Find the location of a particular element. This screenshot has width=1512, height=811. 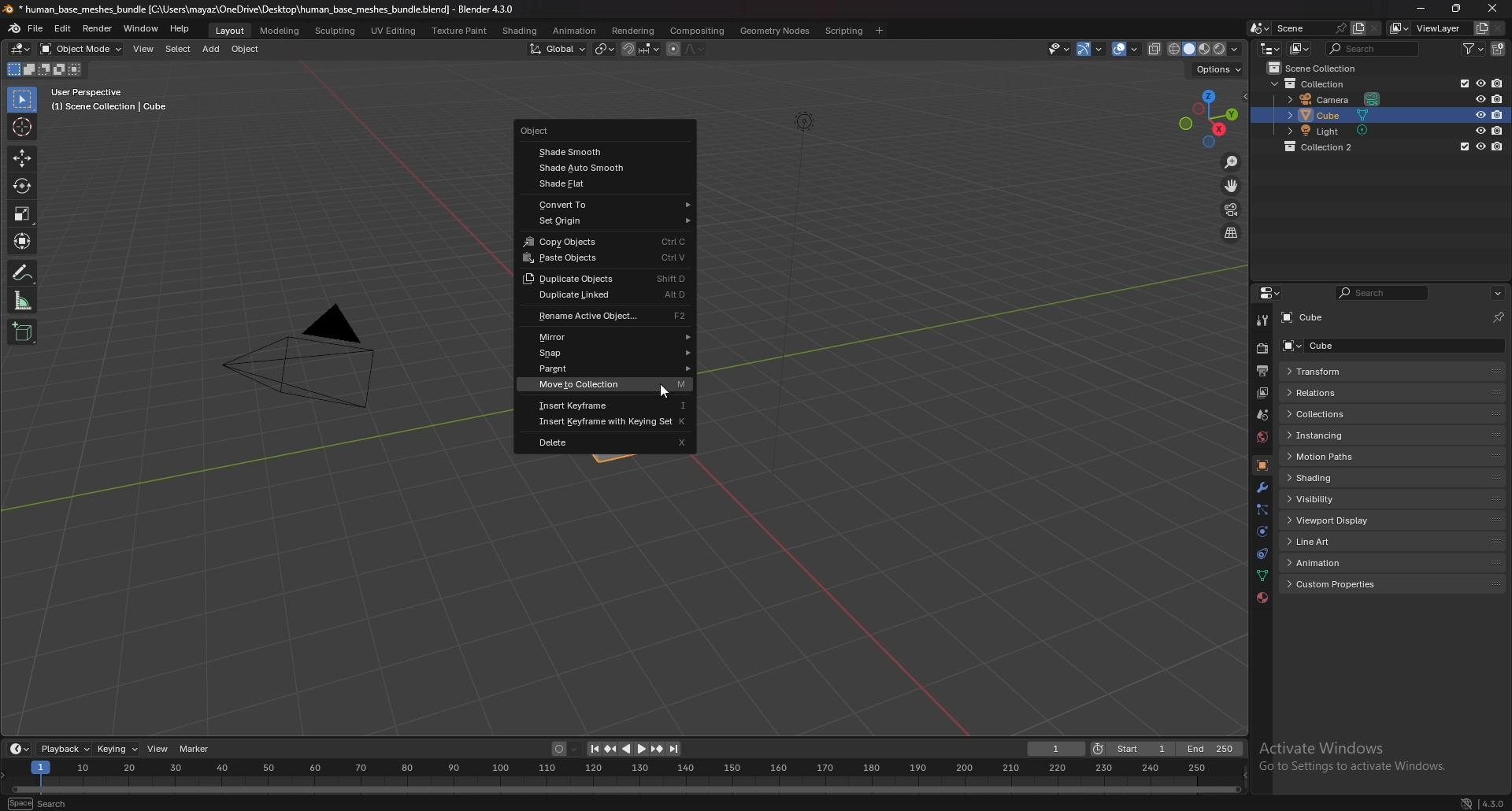

output is located at coordinates (1262, 372).